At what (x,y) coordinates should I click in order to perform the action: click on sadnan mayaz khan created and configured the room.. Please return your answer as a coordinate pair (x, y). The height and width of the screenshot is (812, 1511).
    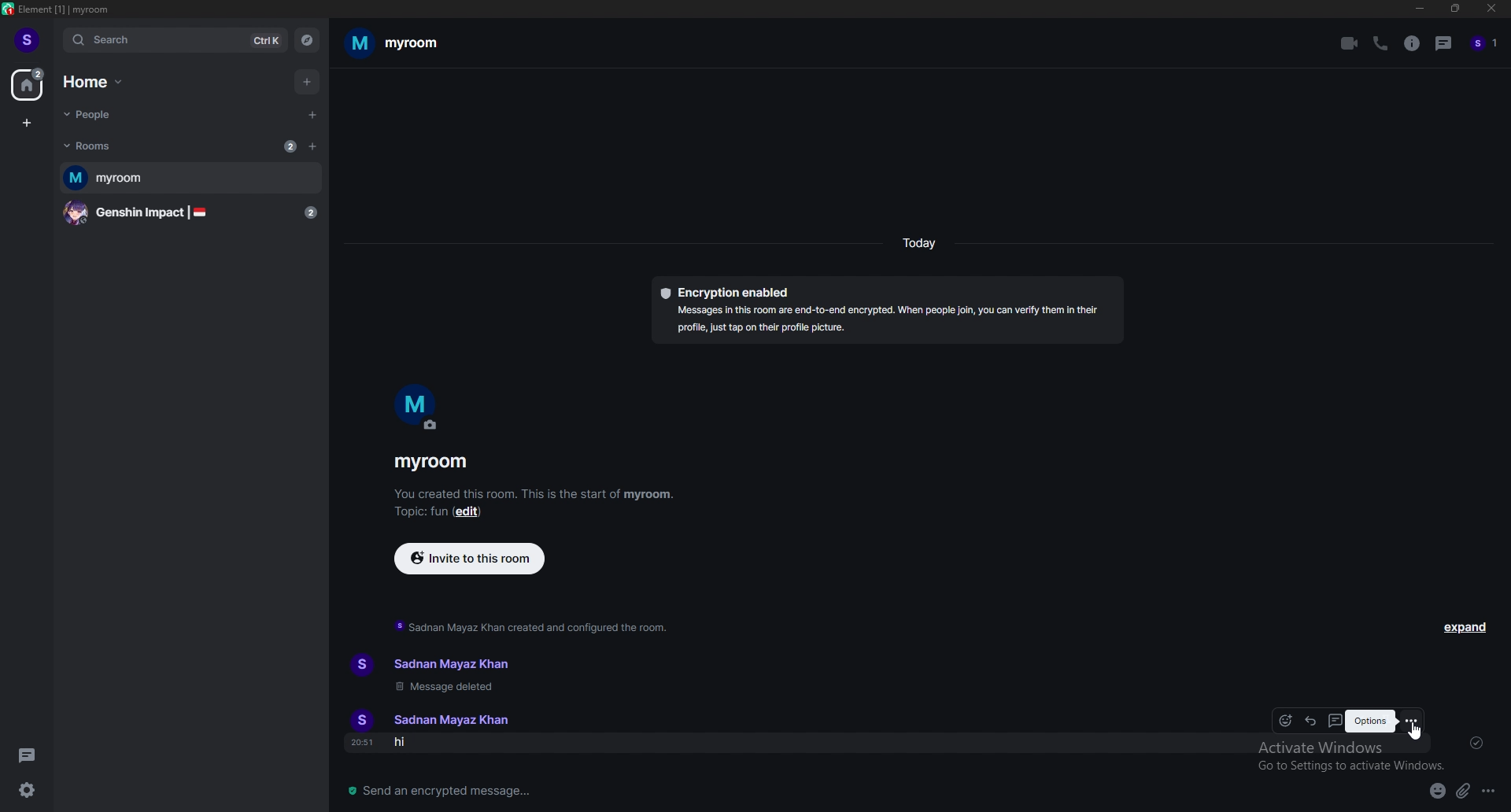
    Looking at the image, I should click on (534, 626).